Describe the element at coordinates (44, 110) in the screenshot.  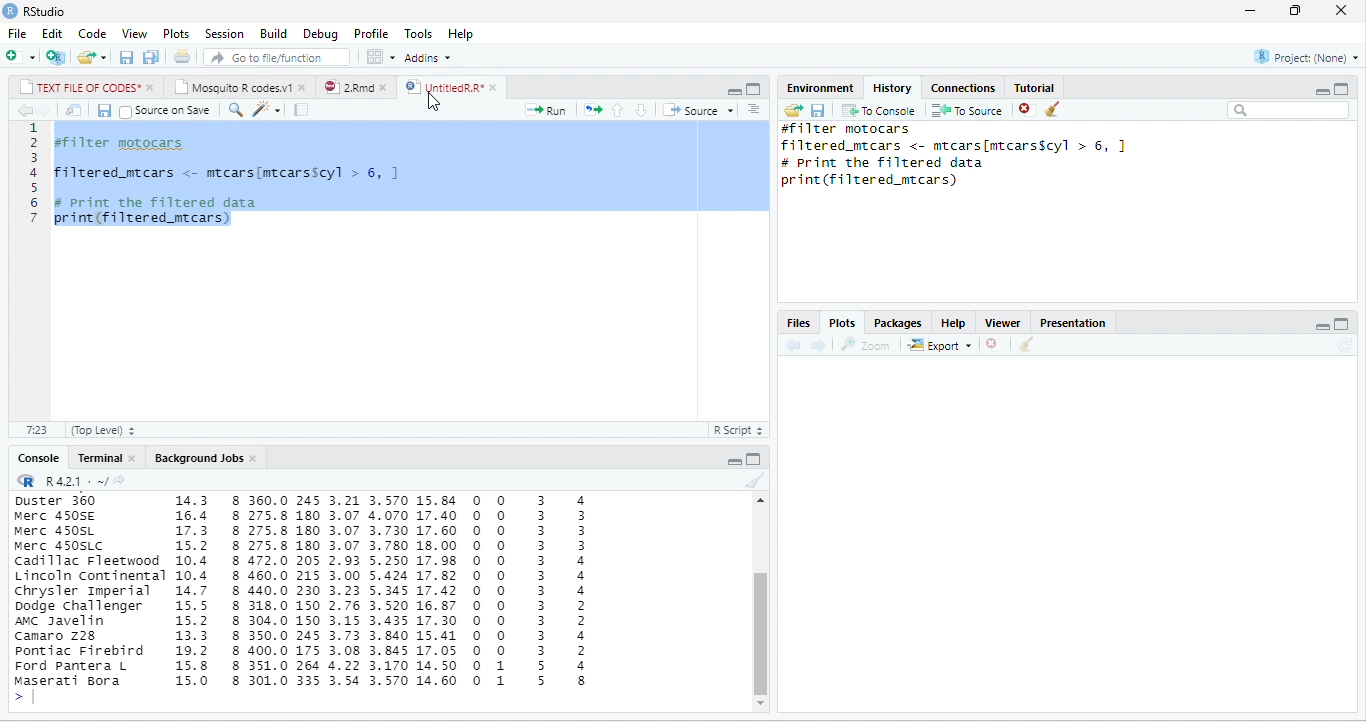
I see `forward` at that location.